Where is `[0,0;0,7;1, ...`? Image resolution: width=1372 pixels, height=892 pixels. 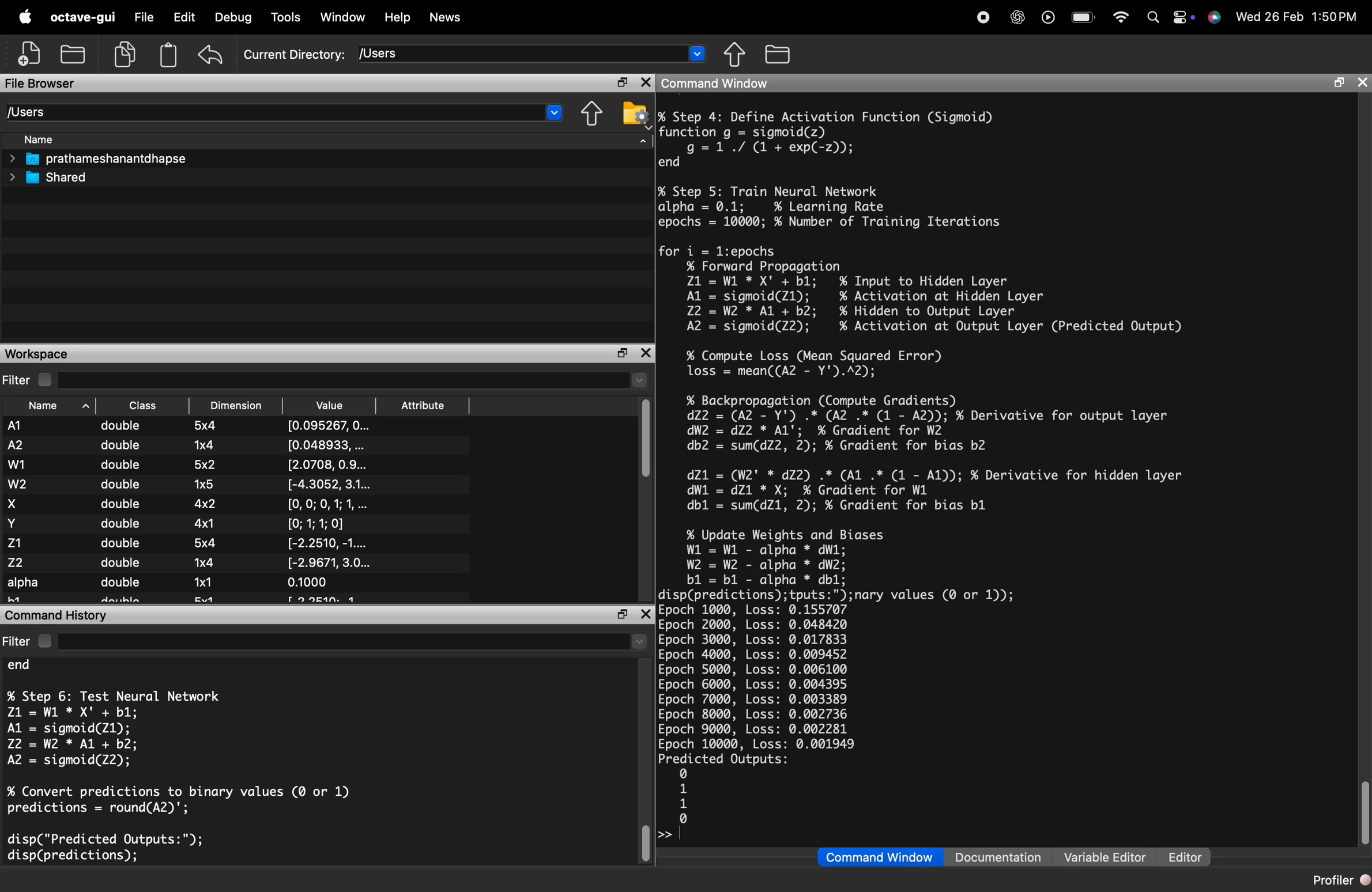 [0,0;0,7;1, ... is located at coordinates (328, 505).